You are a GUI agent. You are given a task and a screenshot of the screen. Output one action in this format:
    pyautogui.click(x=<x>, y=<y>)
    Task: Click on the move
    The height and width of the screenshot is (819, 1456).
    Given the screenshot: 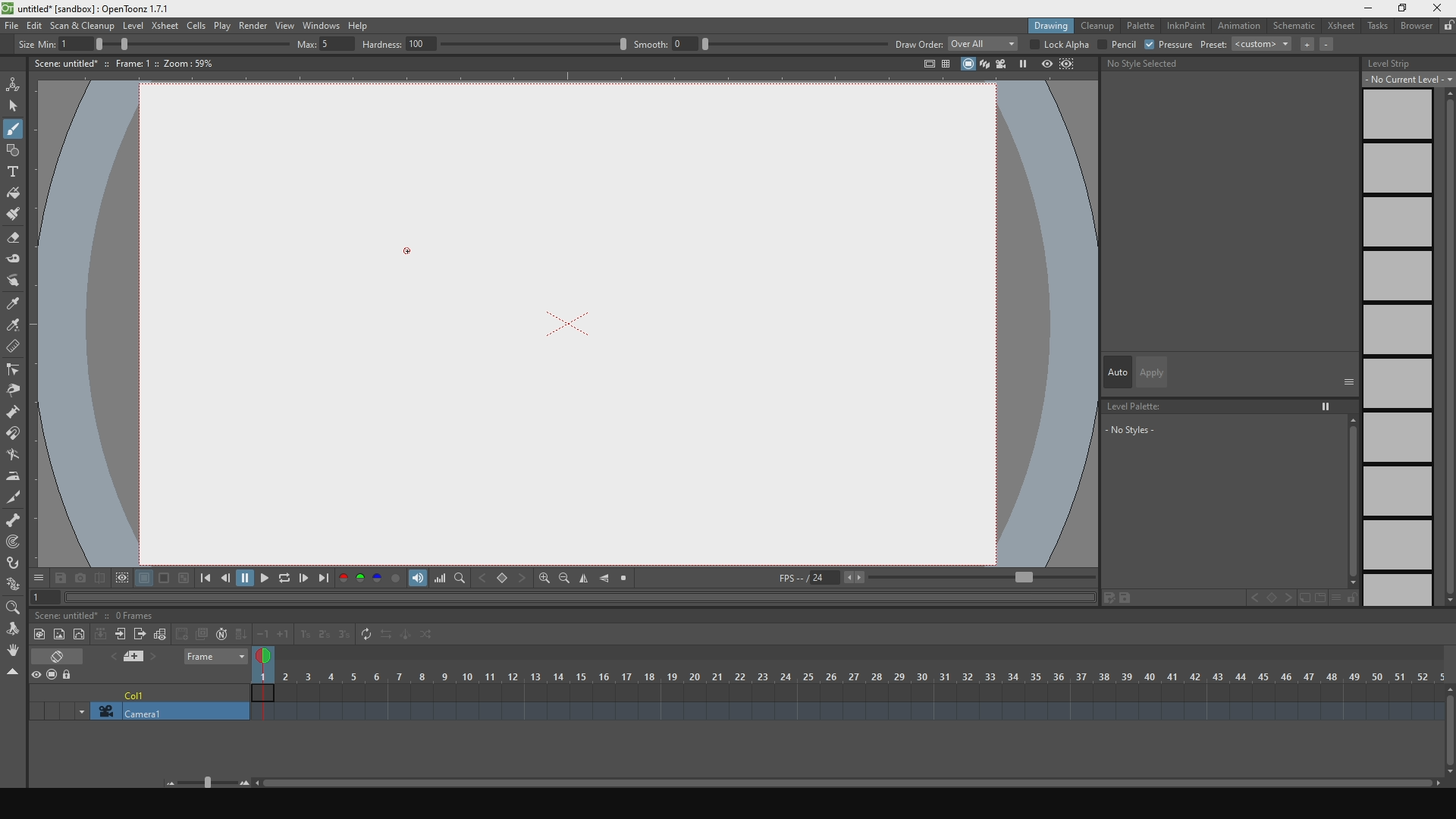 What is the action you would take?
    pyautogui.click(x=14, y=629)
    